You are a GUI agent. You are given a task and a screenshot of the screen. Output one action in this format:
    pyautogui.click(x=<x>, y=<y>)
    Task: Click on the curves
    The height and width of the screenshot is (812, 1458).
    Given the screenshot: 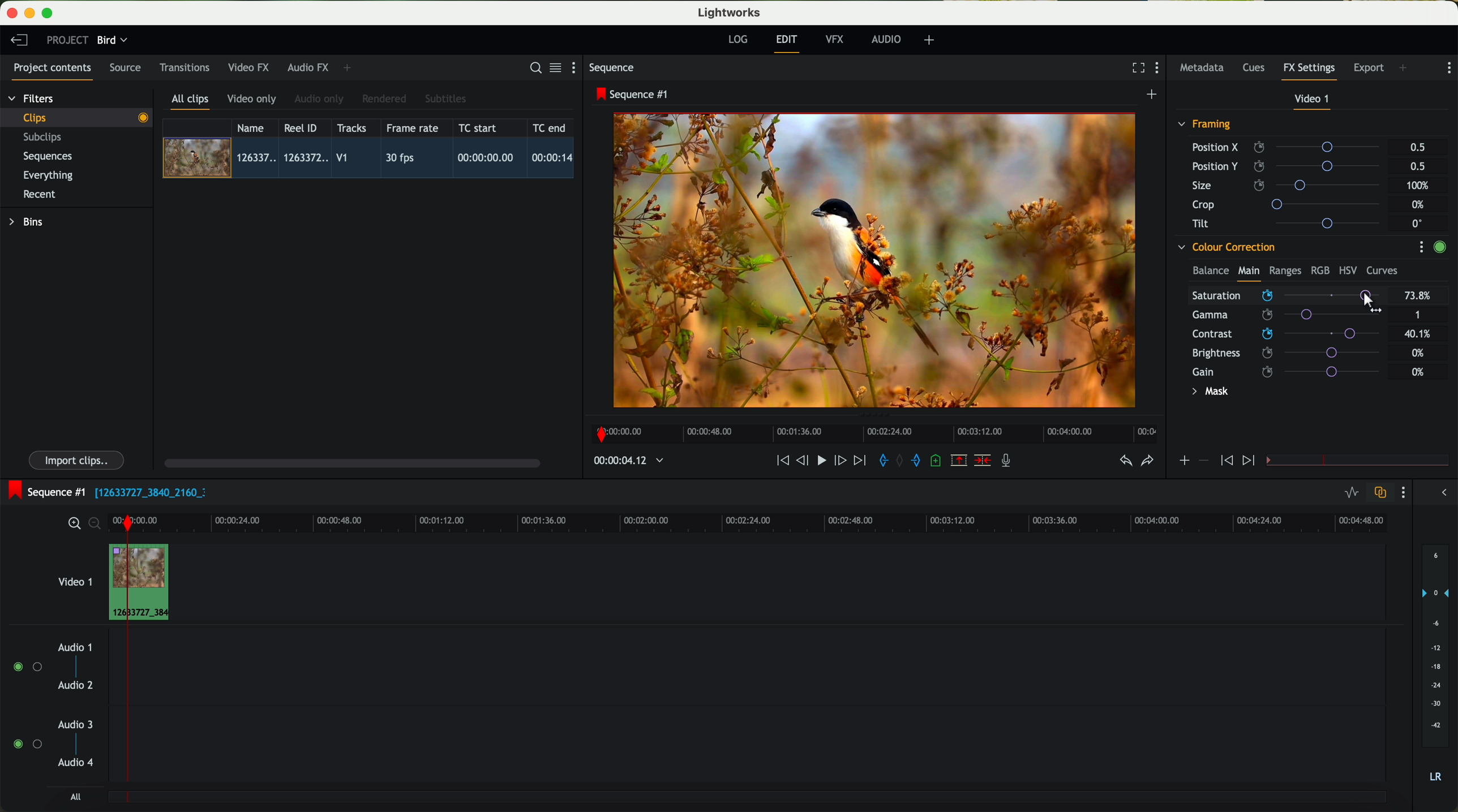 What is the action you would take?
    pyautogui.click(x=1382, y=271)
    